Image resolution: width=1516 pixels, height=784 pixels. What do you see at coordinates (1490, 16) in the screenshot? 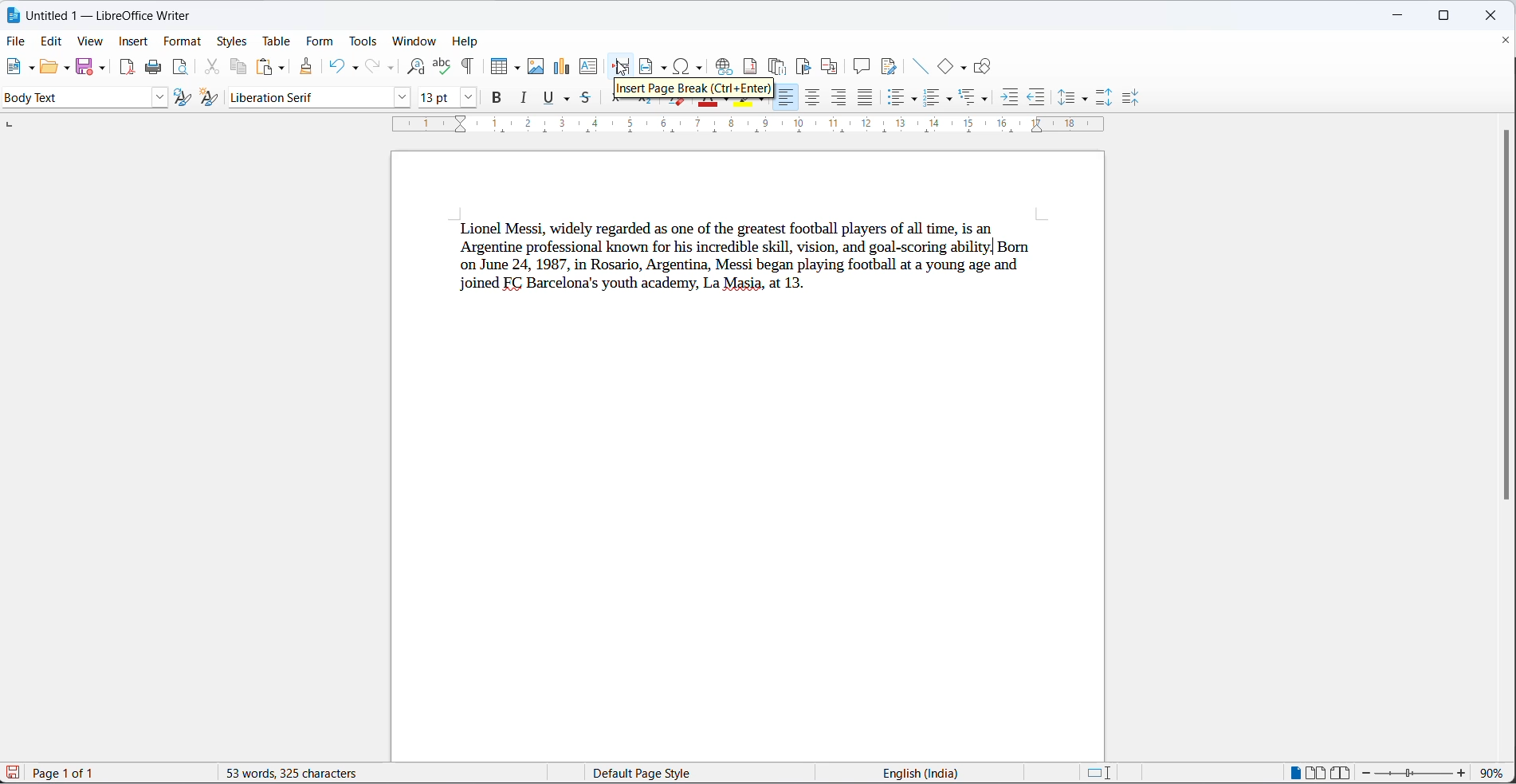
I see `close` at bounding box center [1490, 16].